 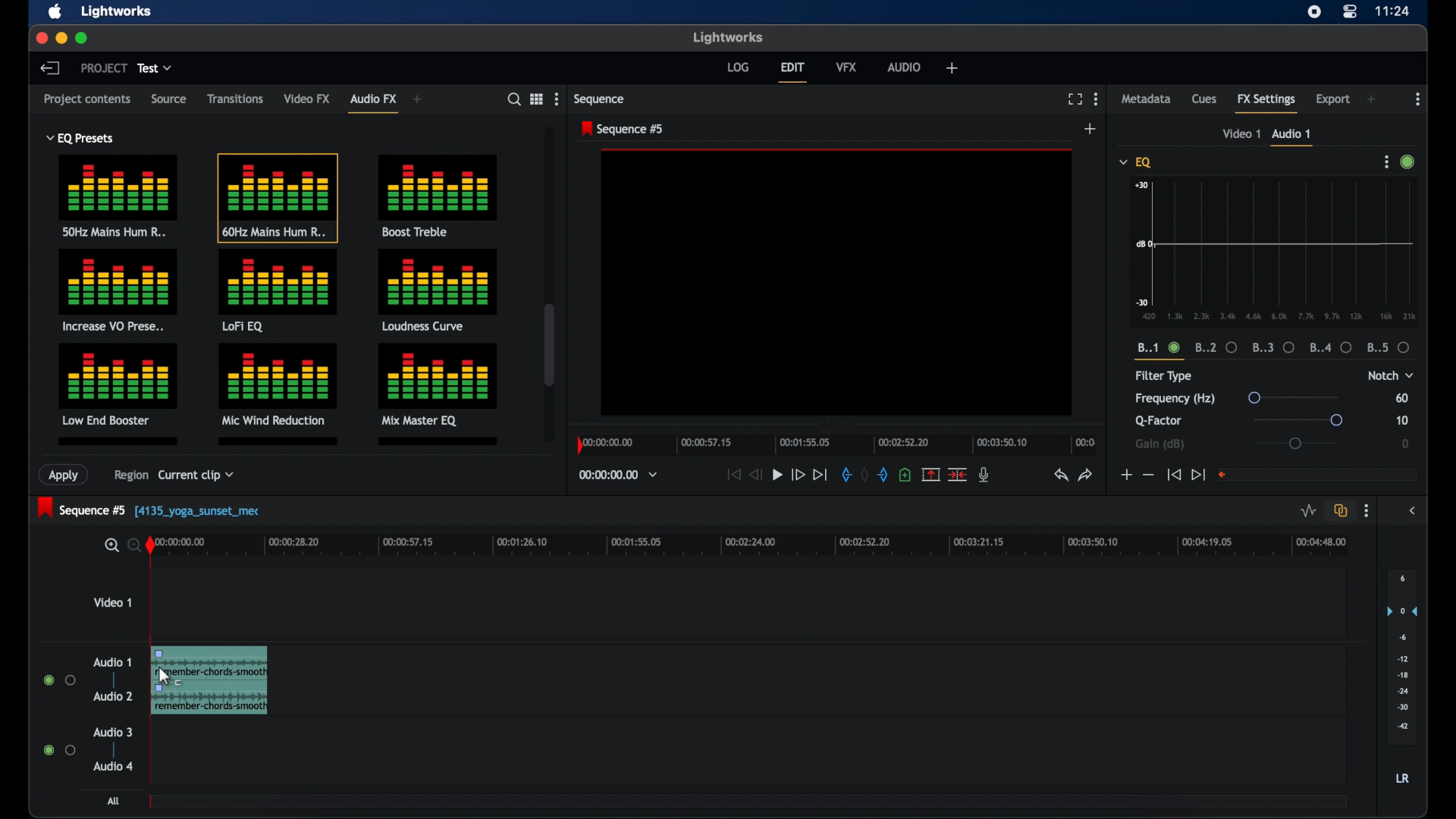 I want to click on redo, so click(x=1086, y=475).